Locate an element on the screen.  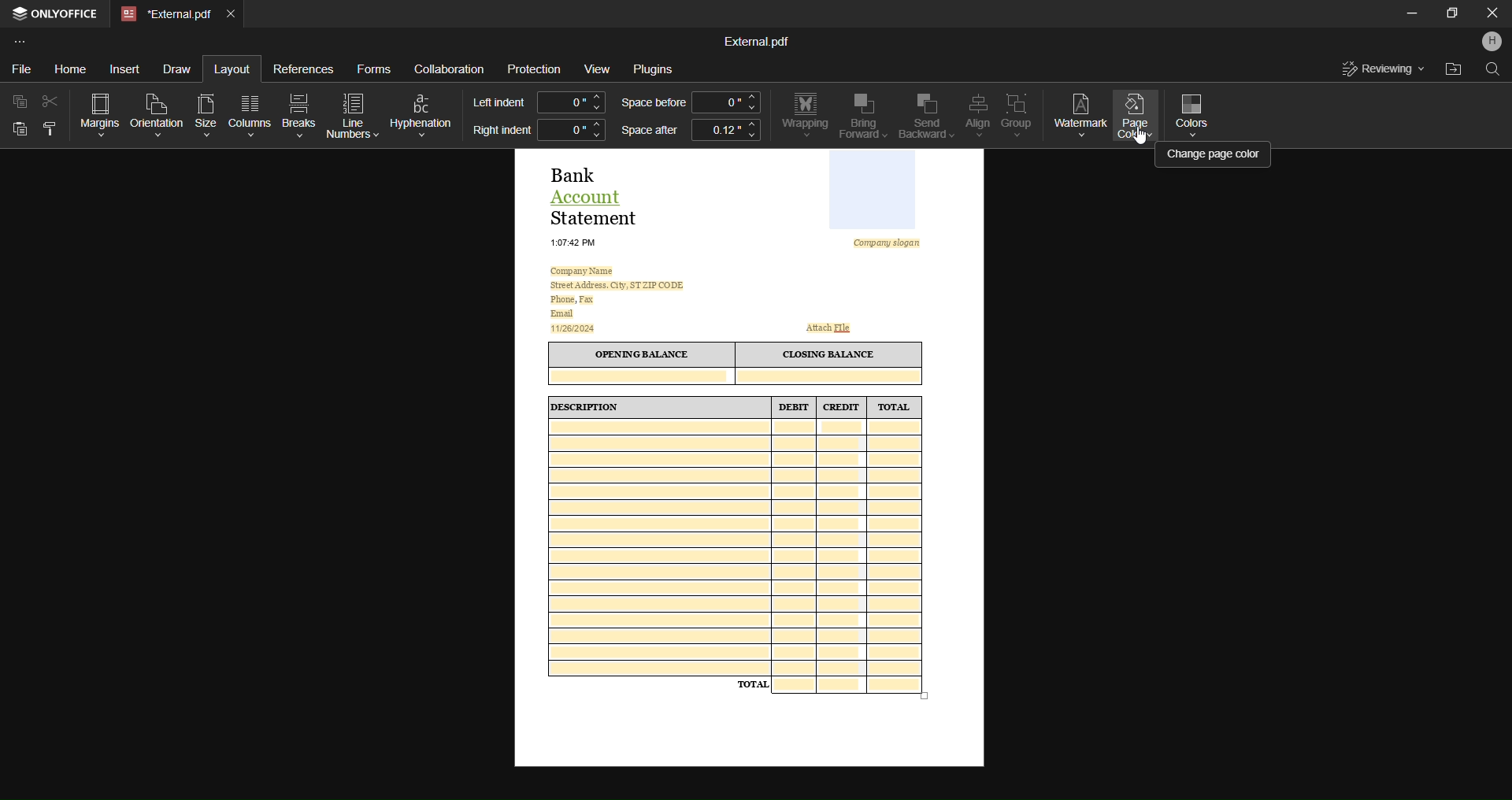
Space Before is located at coordinates (652, 103).